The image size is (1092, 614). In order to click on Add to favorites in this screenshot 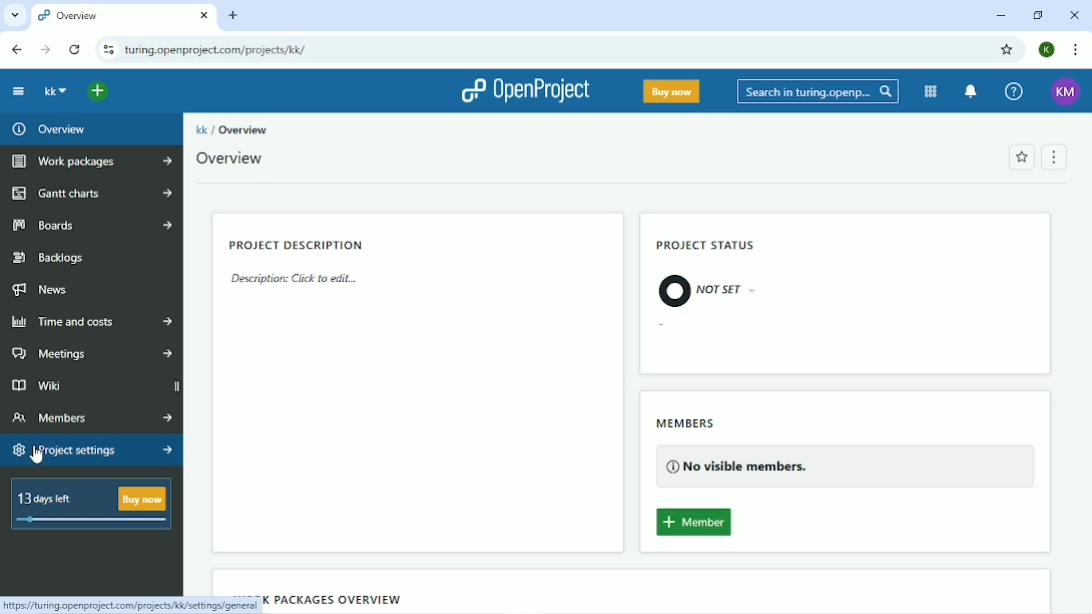, I will do `click(1022, 157)`.